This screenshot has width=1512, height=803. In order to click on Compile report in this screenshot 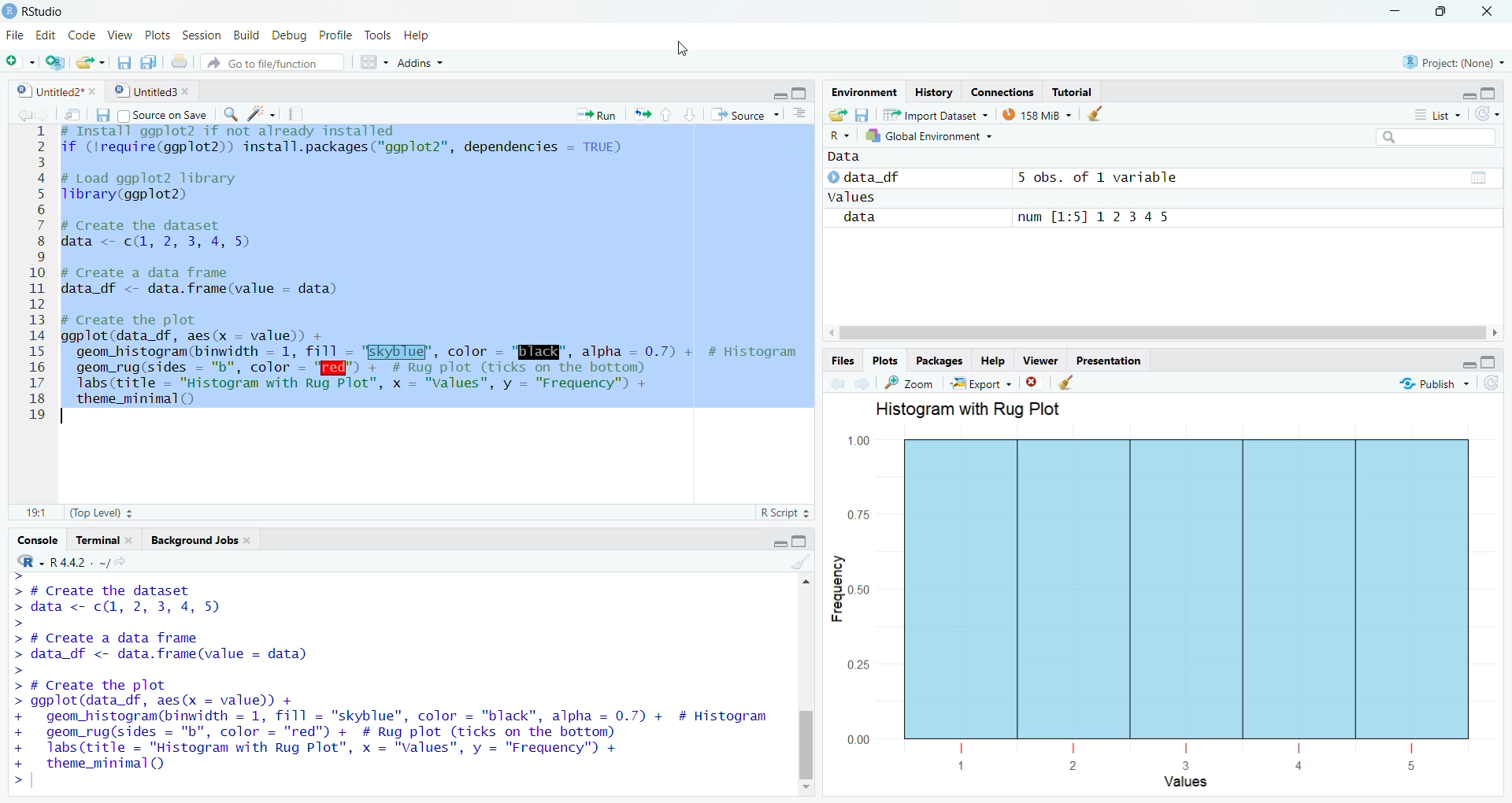, I will do `click(299, 114)`.